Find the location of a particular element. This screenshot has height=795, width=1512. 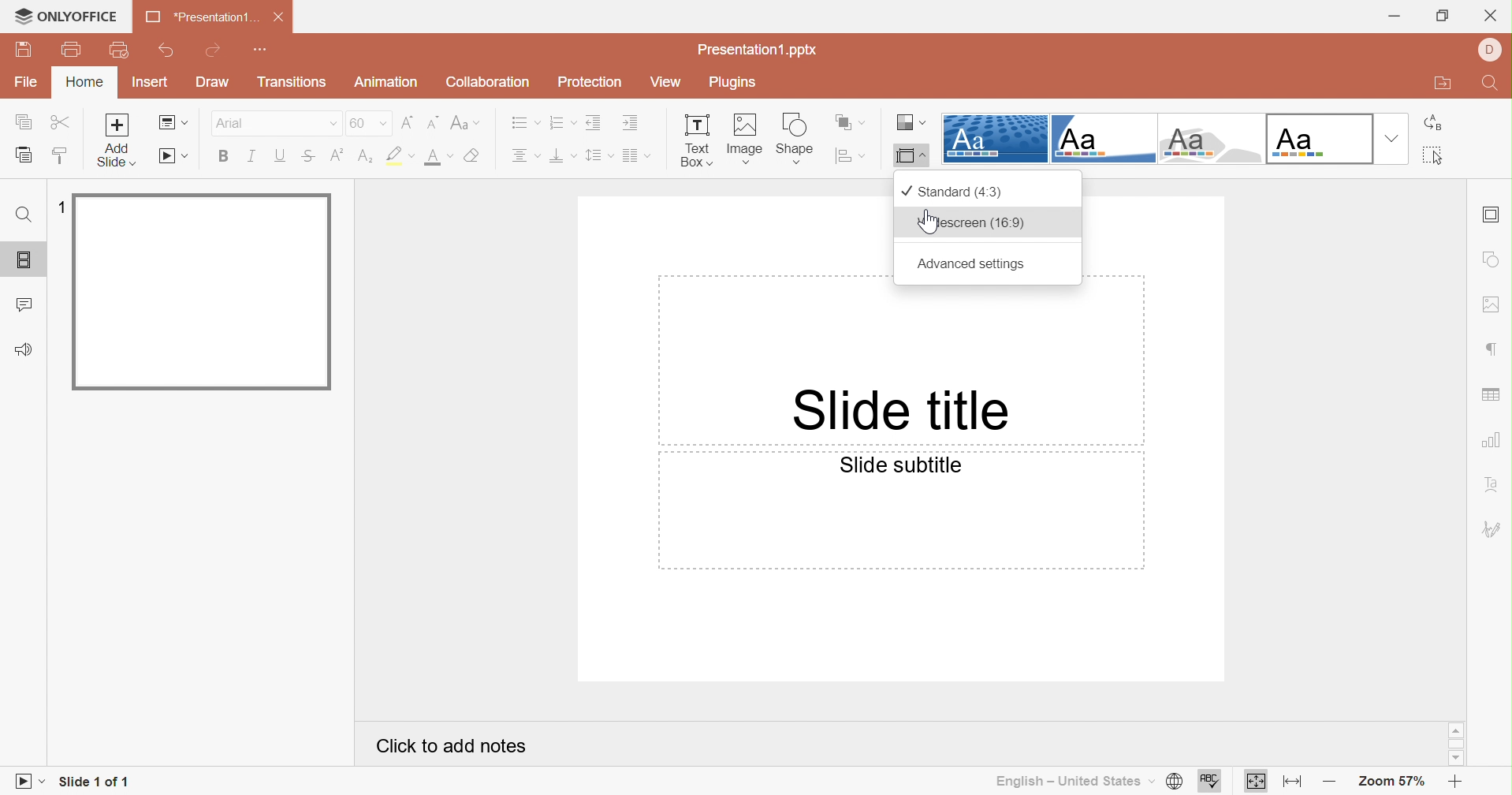

Standard (4:3) is located at coordinates (952, 191).